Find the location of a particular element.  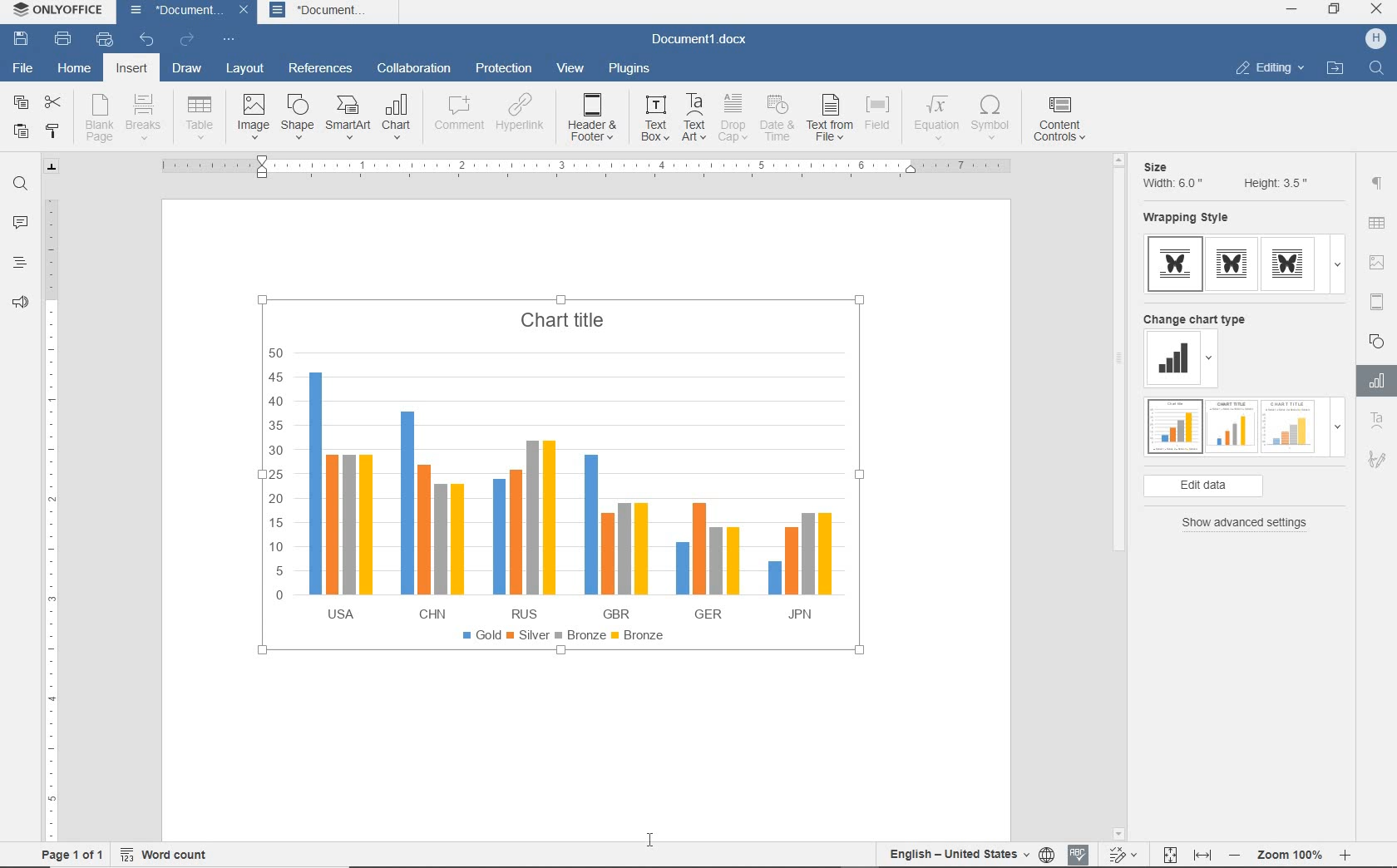

copy is located at coordinates (20, 103).